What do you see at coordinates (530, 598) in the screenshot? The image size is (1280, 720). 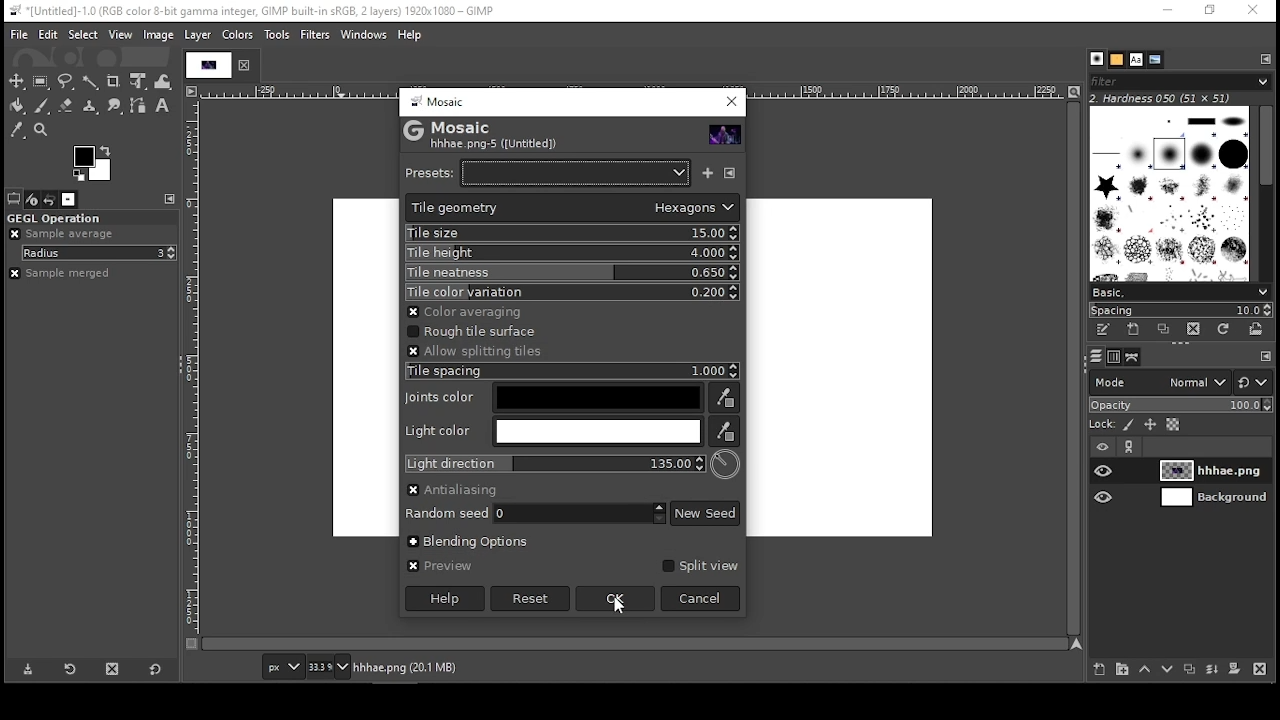 I see `reset` at bounding box center [530, 598].